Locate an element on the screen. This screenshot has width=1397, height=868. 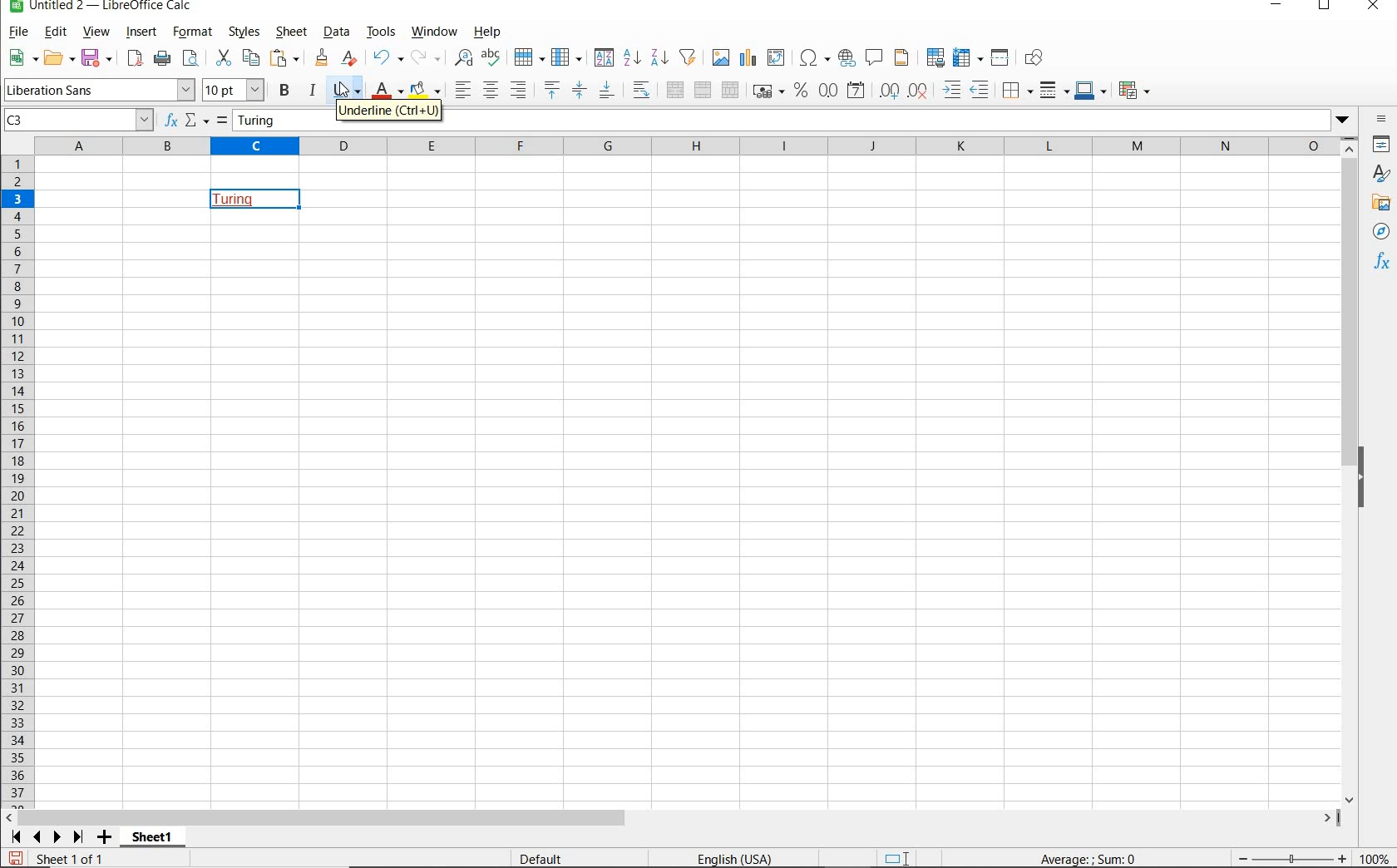
ALIGN BOTTOM is located at coordinates (608, 91).